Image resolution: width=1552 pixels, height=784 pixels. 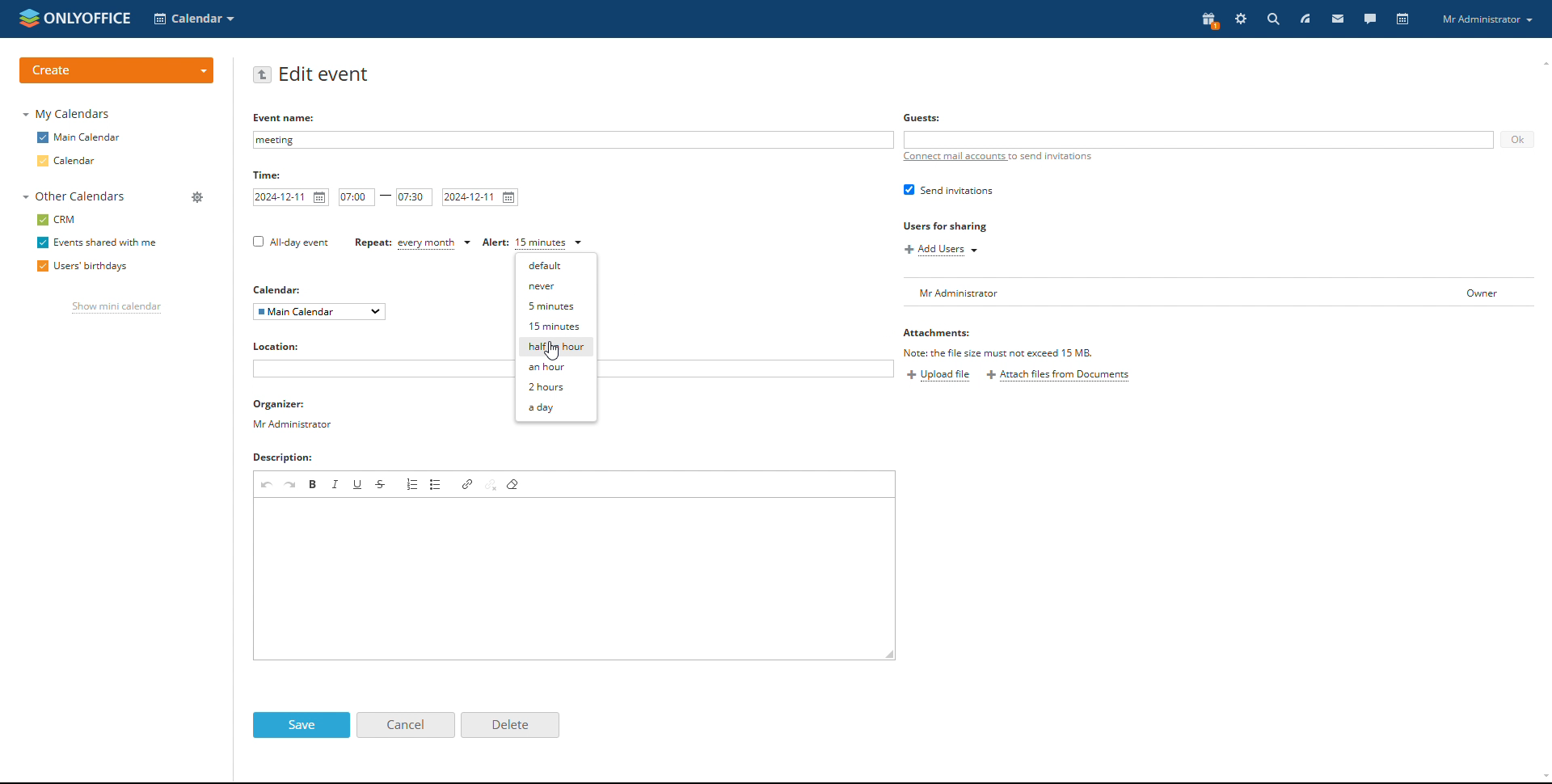 What do you see at coordinates (468, 483) in the screenshot?
I see `link` at bounding box center [468, 483].